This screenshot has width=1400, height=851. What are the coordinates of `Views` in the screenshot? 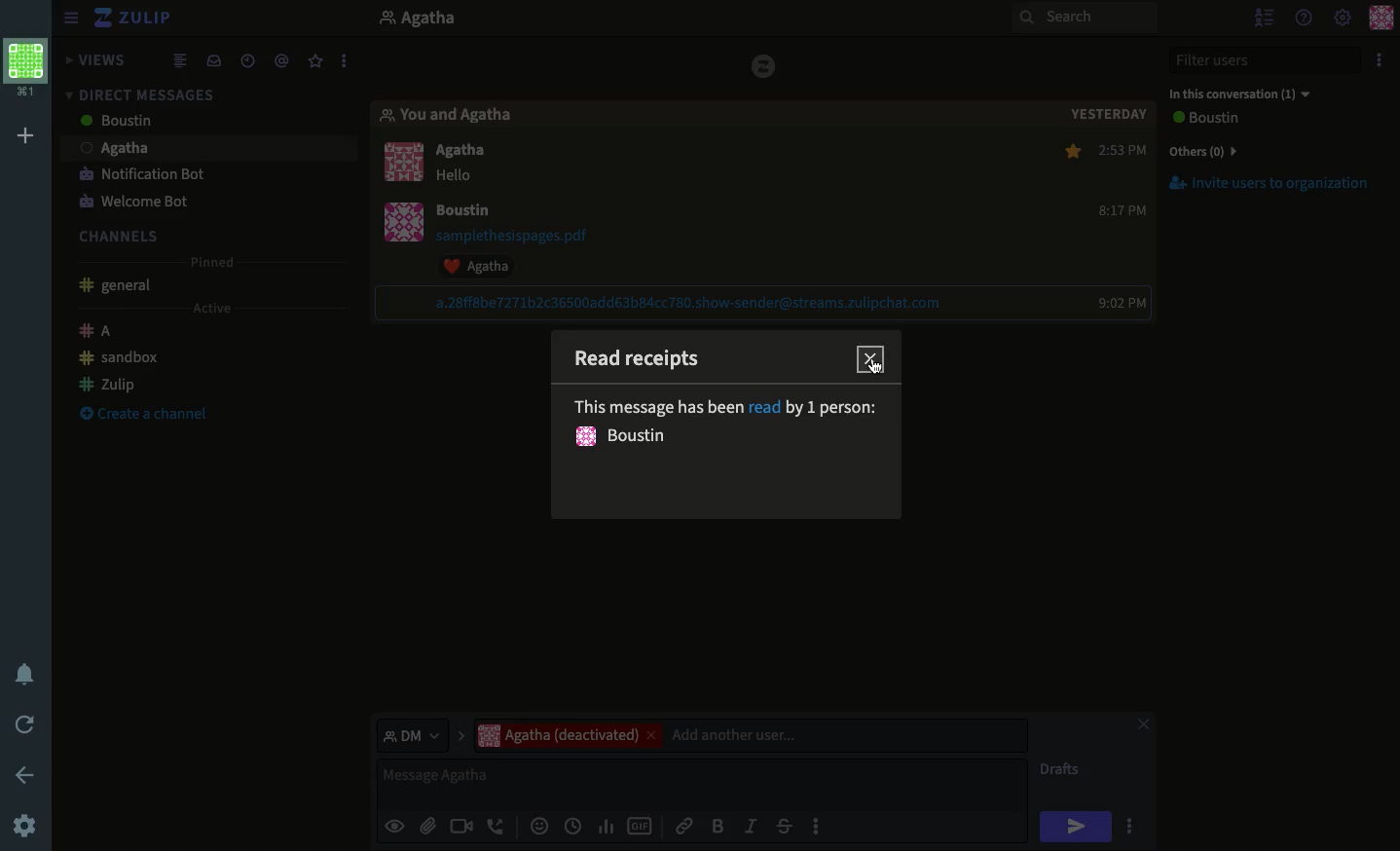 It's located at (99, 61).